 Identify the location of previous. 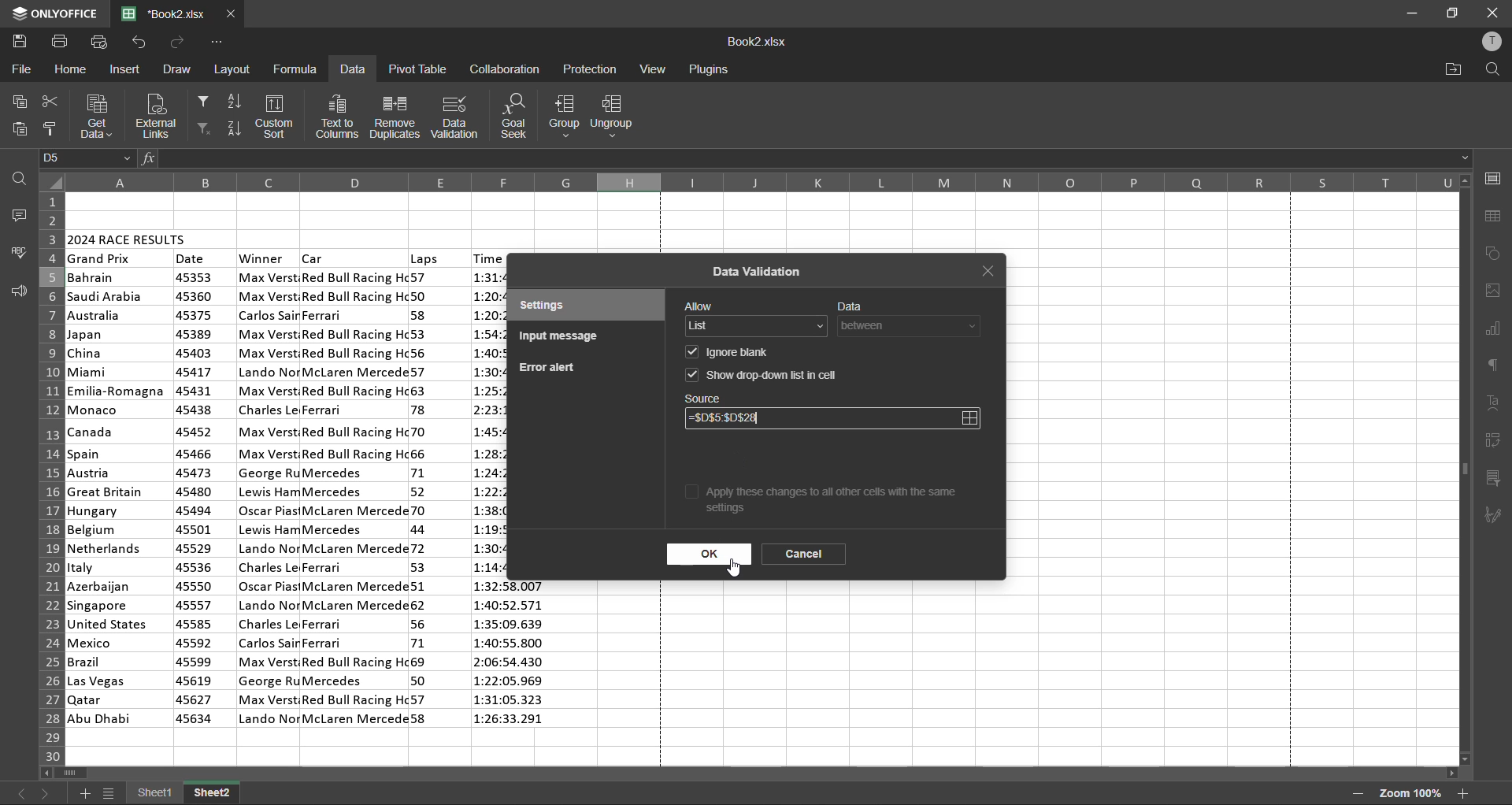
(20, 792).